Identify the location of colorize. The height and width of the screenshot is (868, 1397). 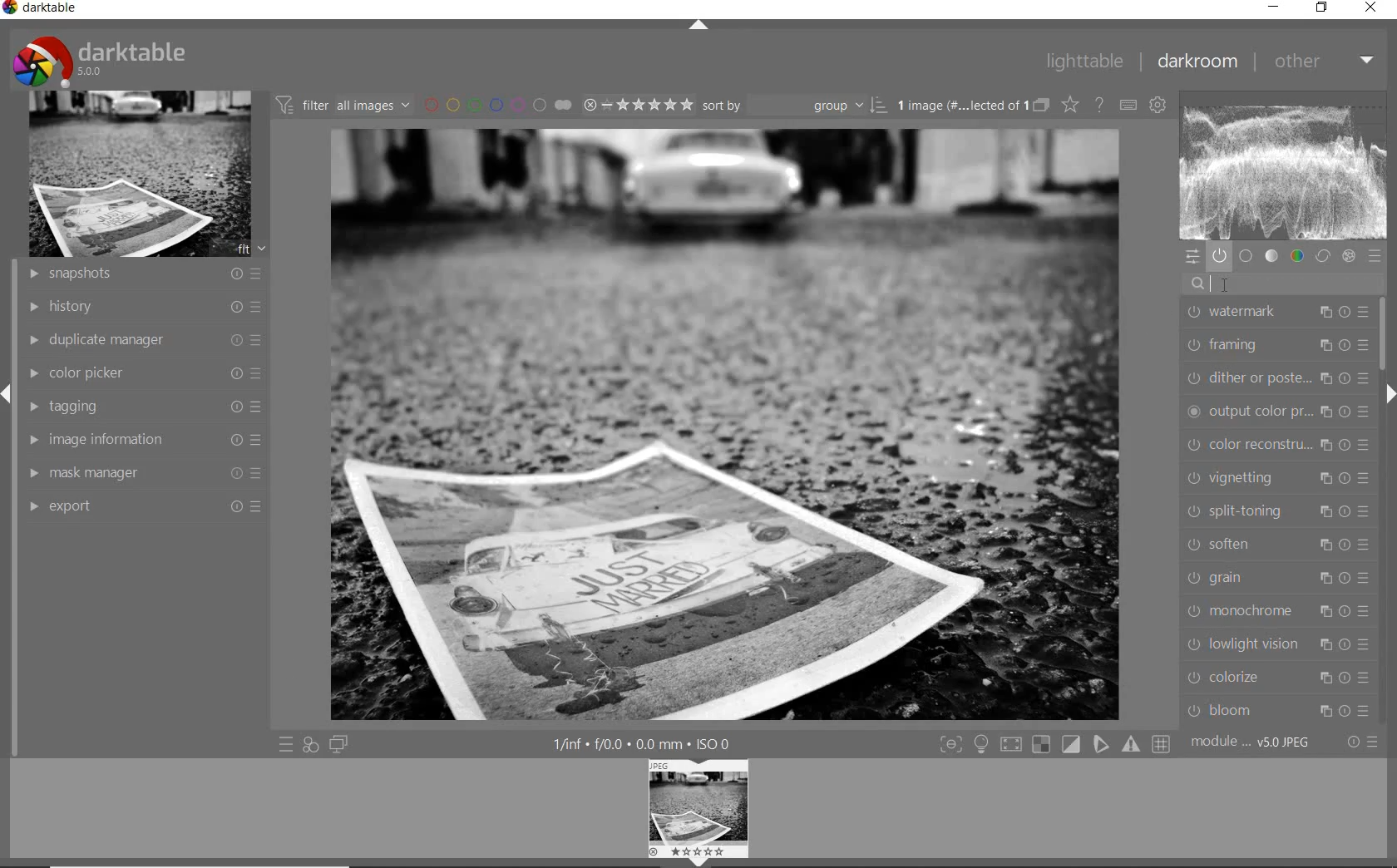
(1277, 678).